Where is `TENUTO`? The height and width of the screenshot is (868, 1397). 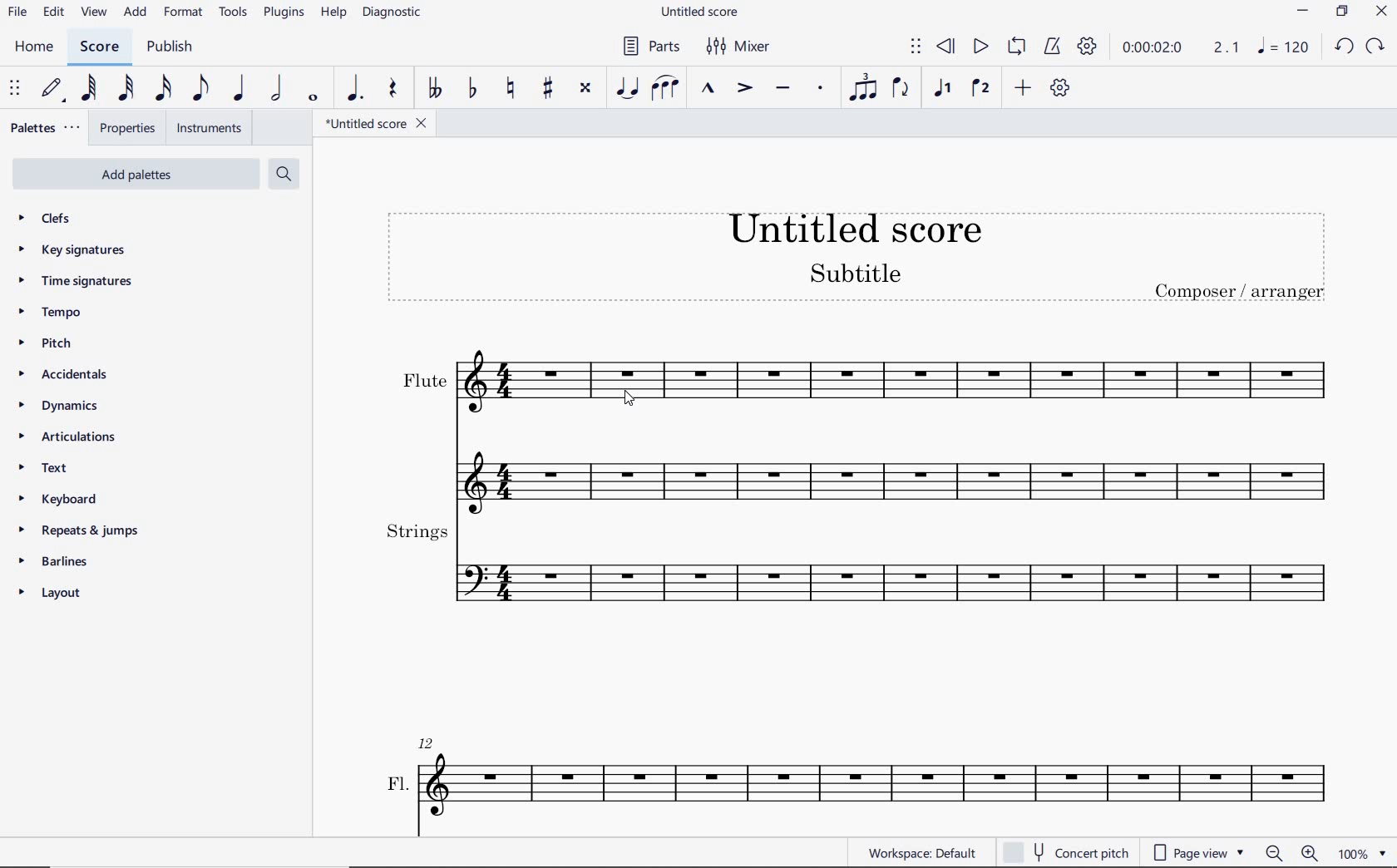
TENUTO is located at coordinates (783, 86).